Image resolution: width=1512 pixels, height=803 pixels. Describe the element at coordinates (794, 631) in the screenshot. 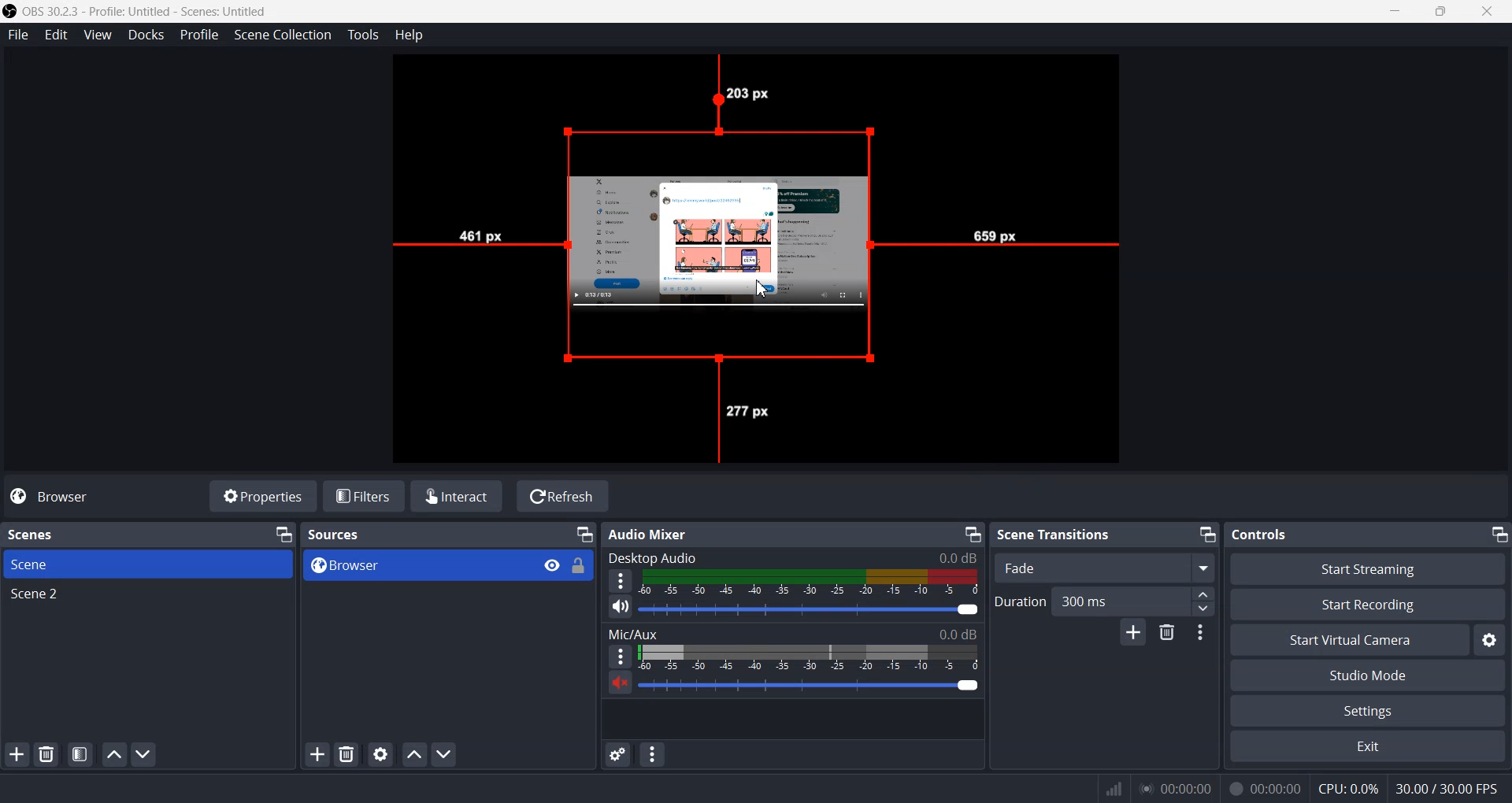

I see `Mic/aux` at that location.